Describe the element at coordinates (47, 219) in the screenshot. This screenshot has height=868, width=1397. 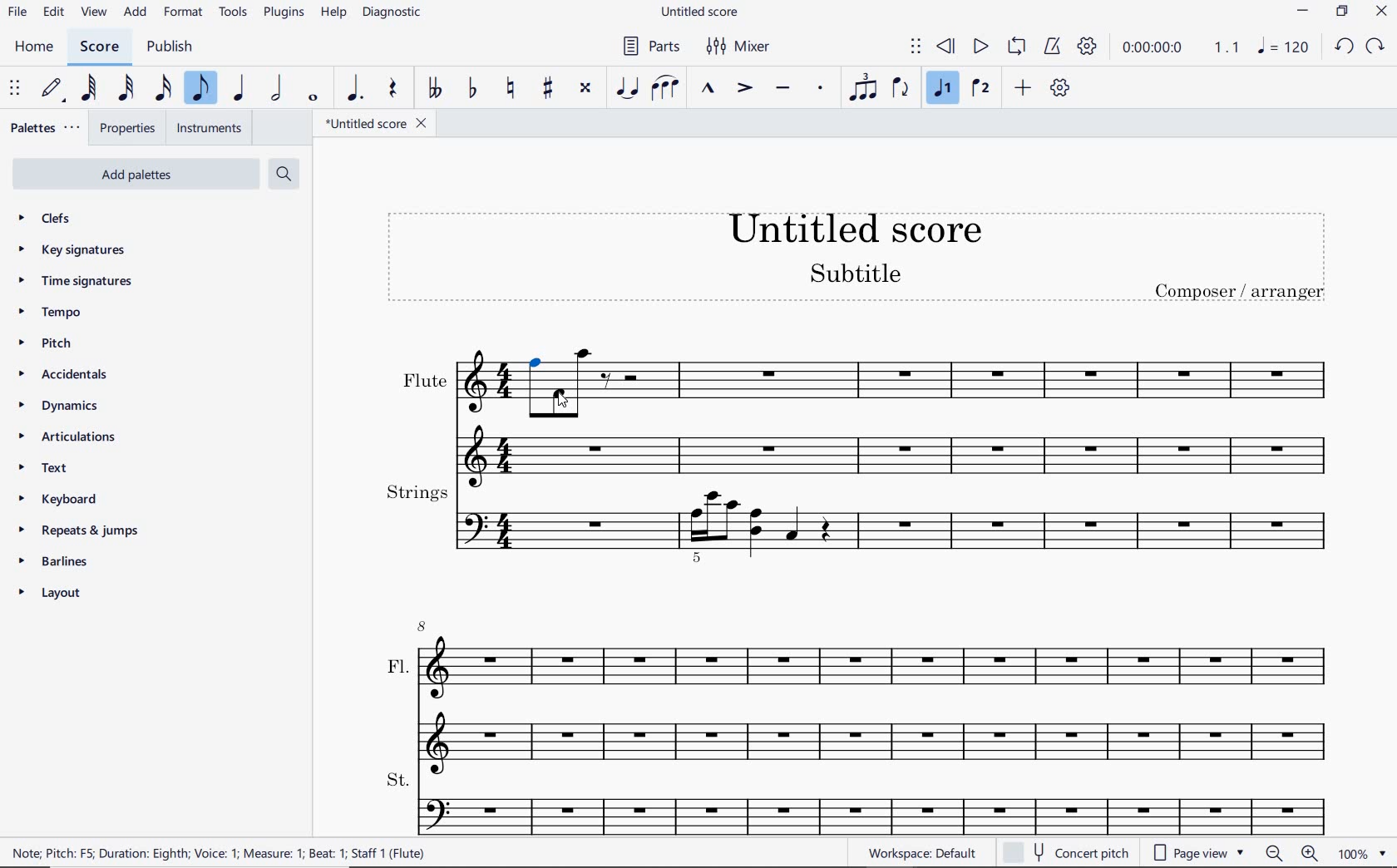
I see `clefs` at that location.